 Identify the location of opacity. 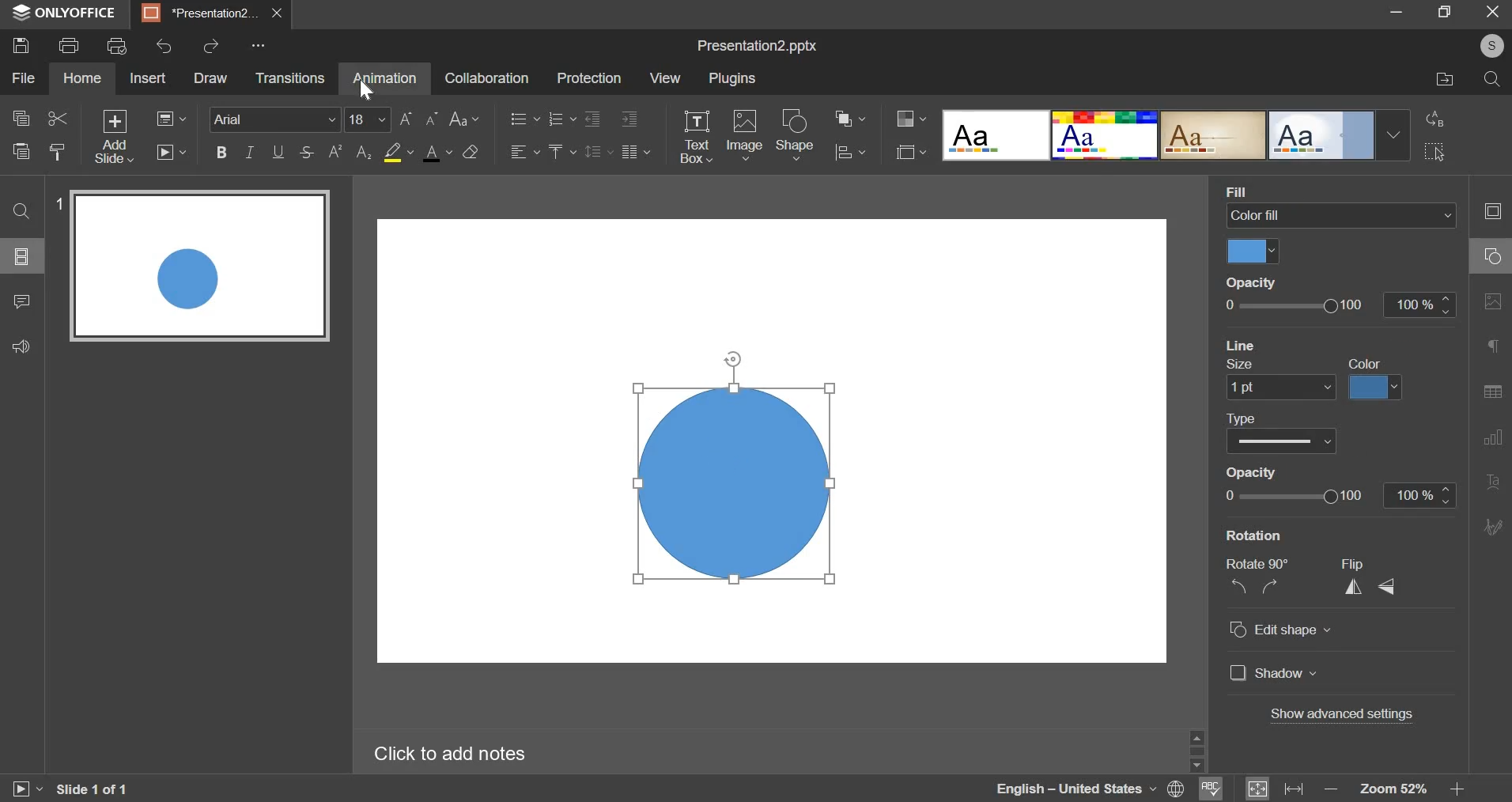
(1340, 494).